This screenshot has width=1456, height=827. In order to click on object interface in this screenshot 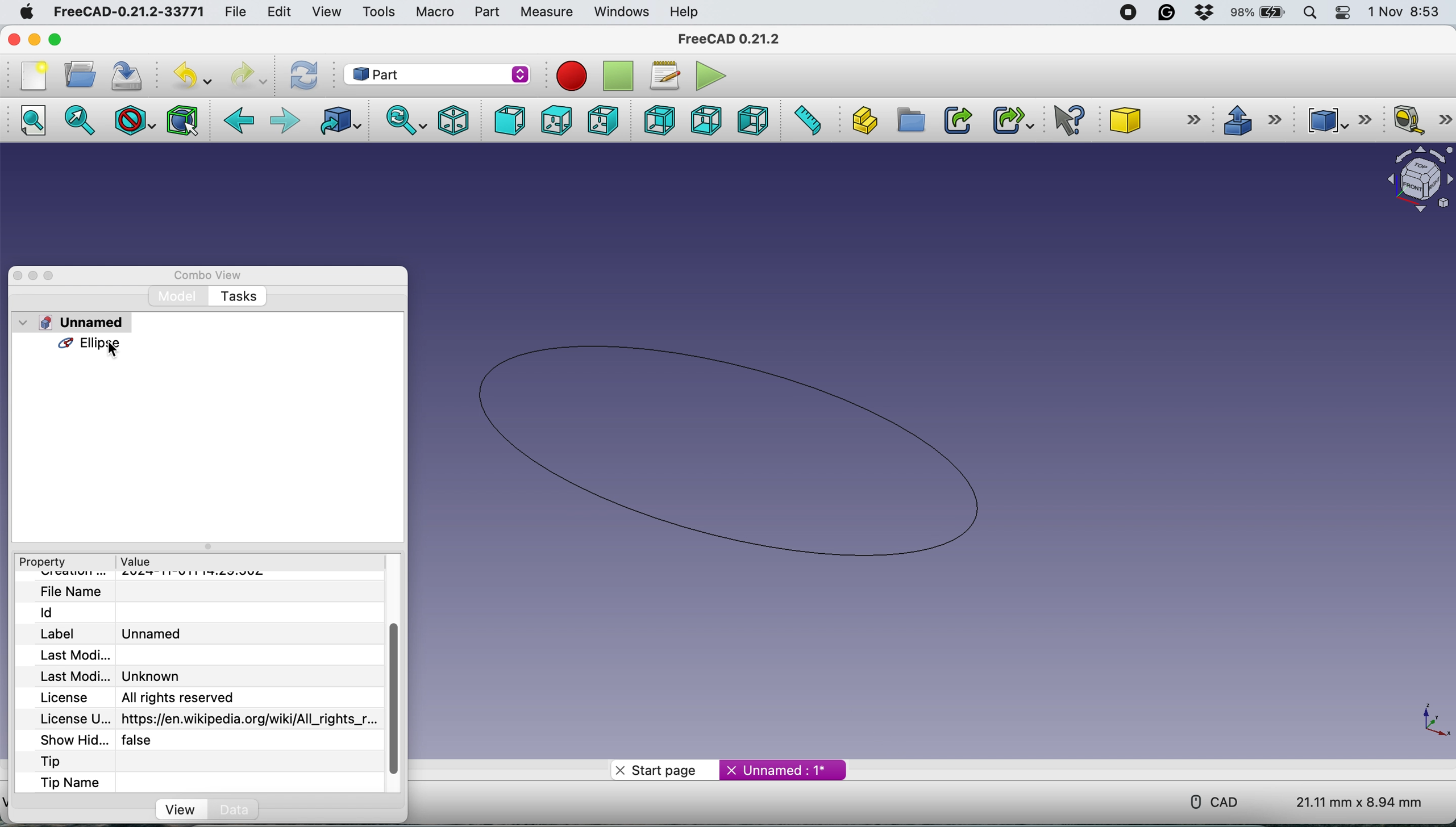, I will do `click(1411, 177)`.